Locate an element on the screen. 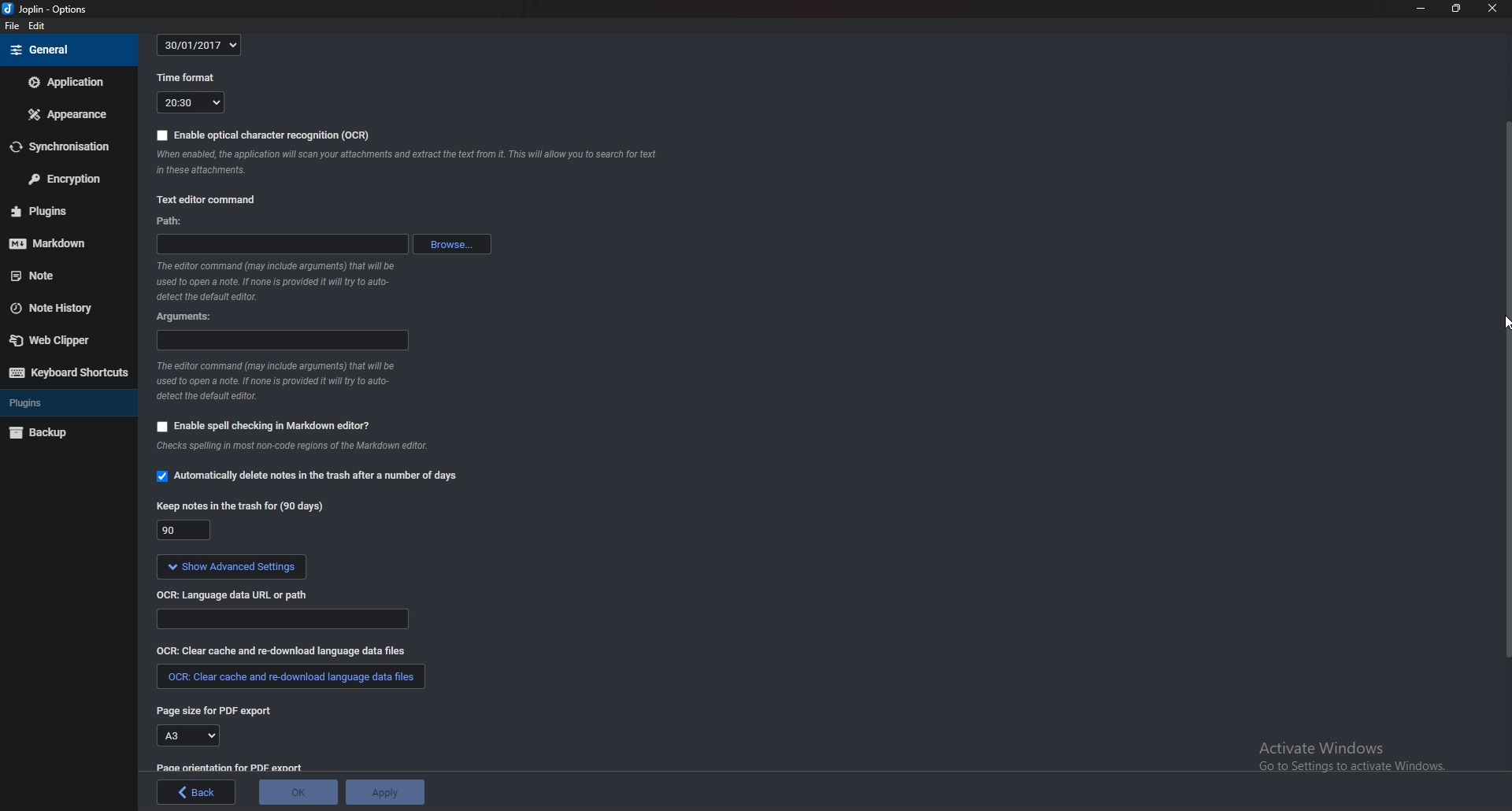 The width and height of the screenshot is (1512, 811). cursor is located at coordinates (1503, 324).